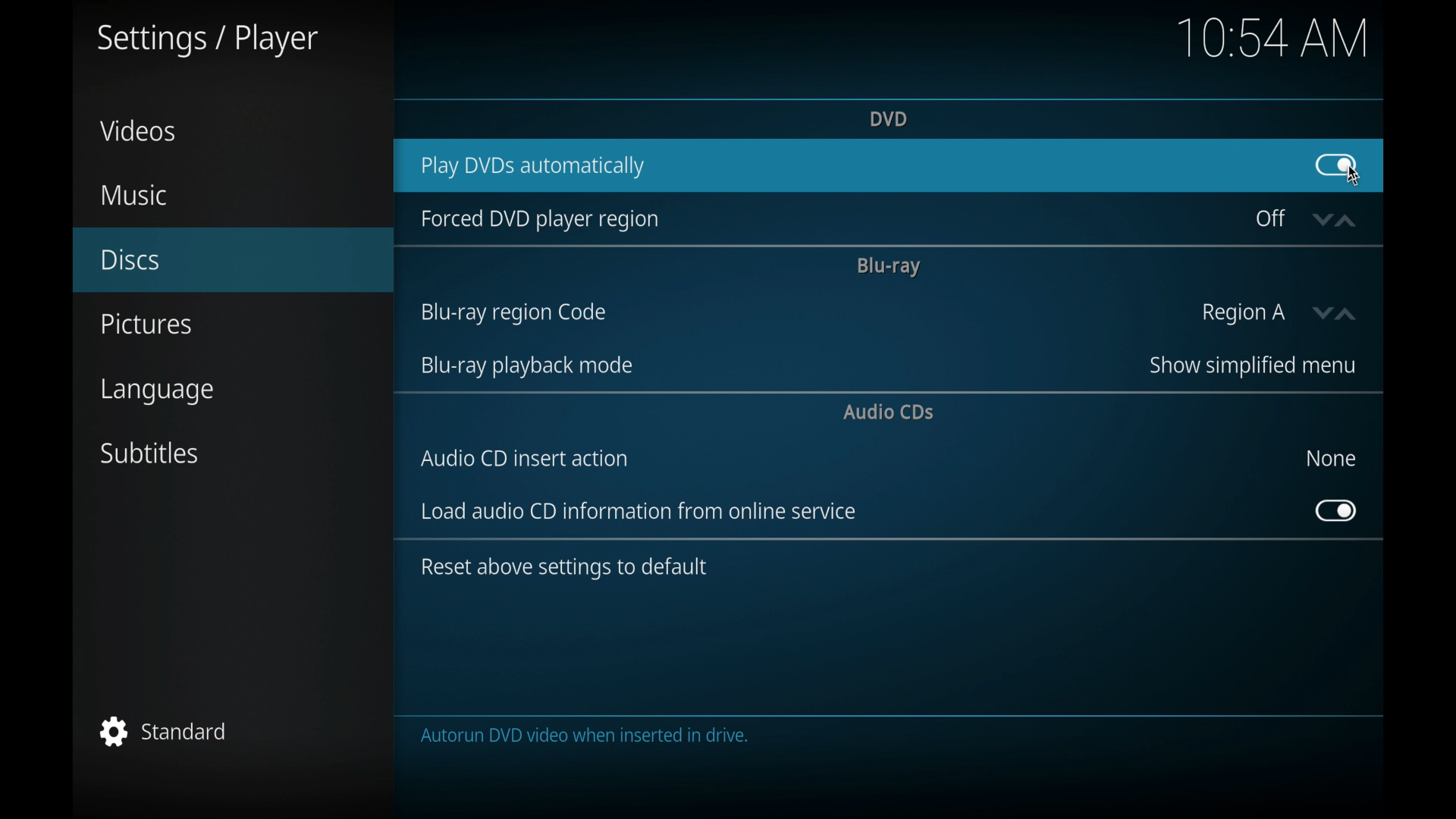 The image size is (1456, 819). What do you see at coordinates (1336, 511) in the screenshot?
I see `toggle button` at bounding box center [1336, 511].